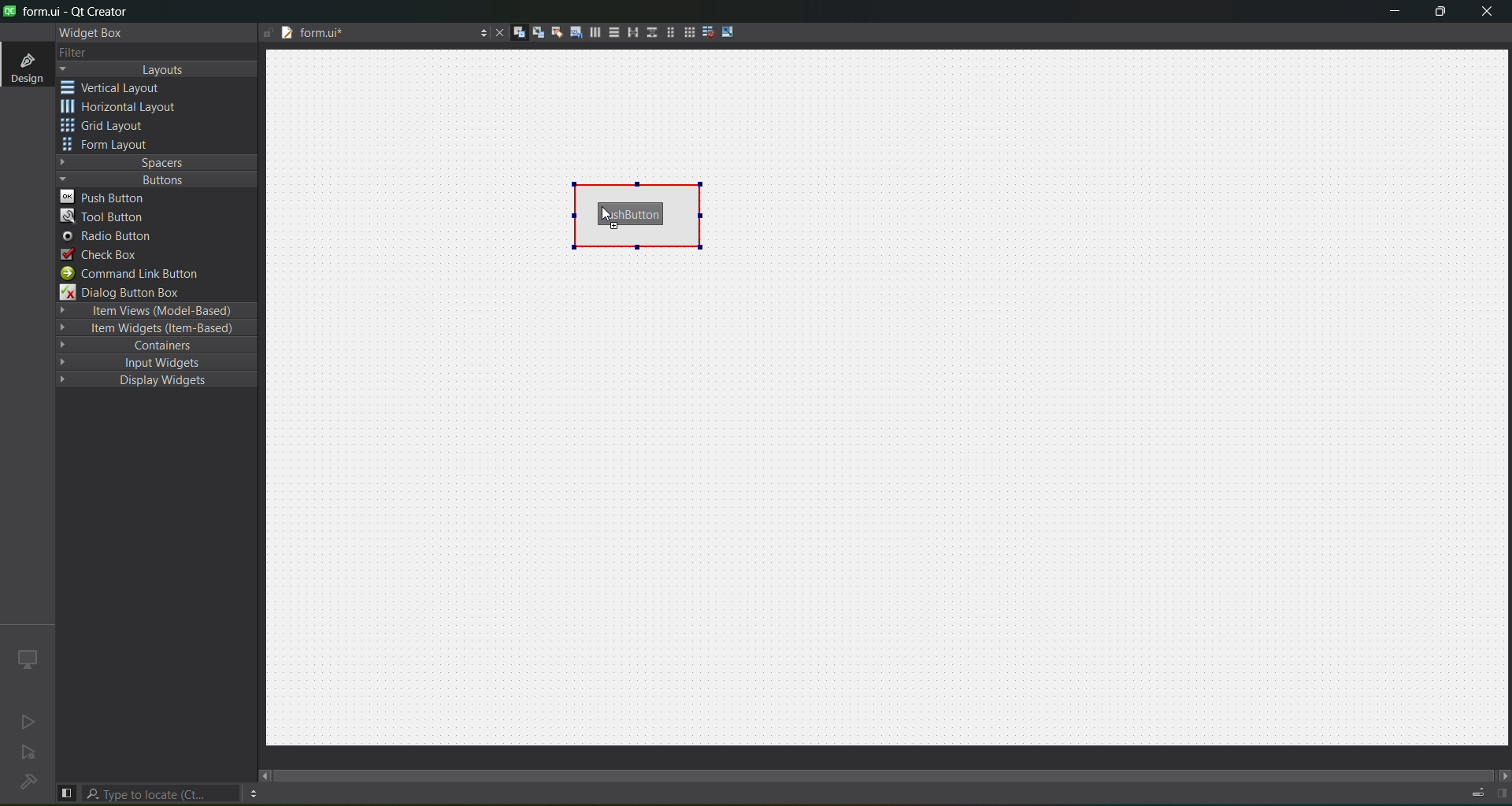  What do you see at coordinates (613, 32) in the screenshot?
I see `vertical layout` at bounding box center [613, 32].